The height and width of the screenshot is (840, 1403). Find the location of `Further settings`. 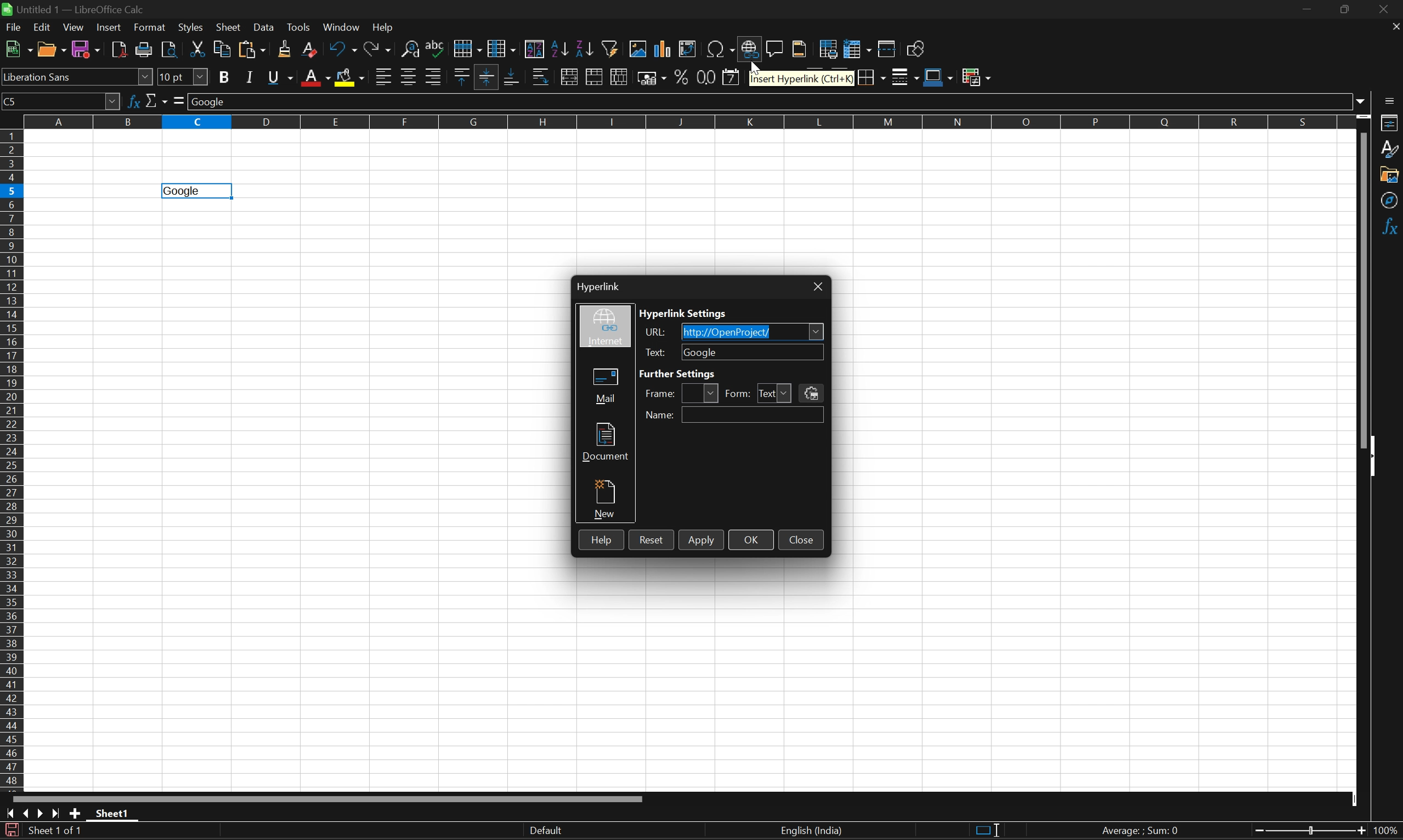

Further settings is located at coordinates (677, 373).